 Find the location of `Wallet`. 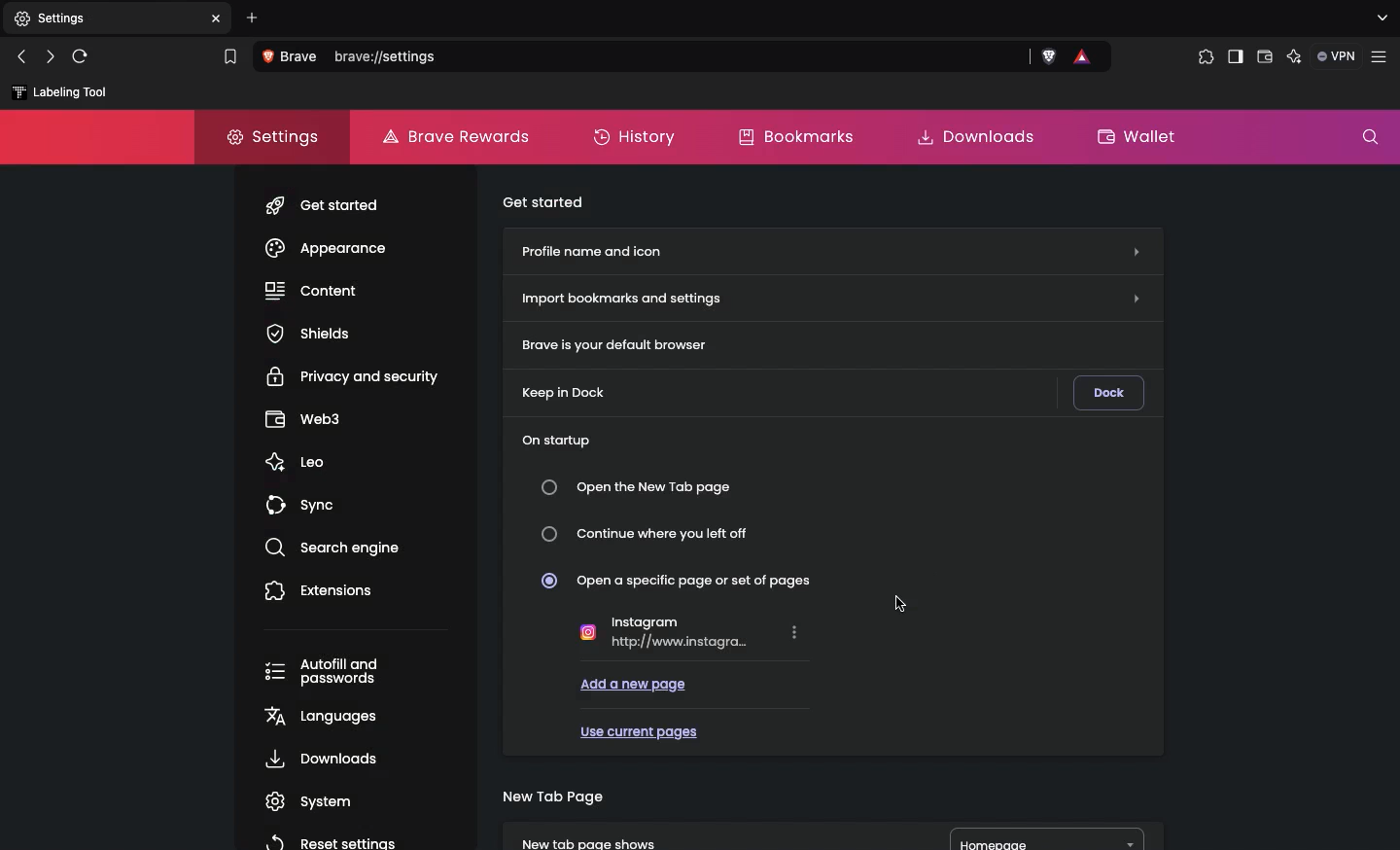

Wallet is located at coordinates (1138, 134).